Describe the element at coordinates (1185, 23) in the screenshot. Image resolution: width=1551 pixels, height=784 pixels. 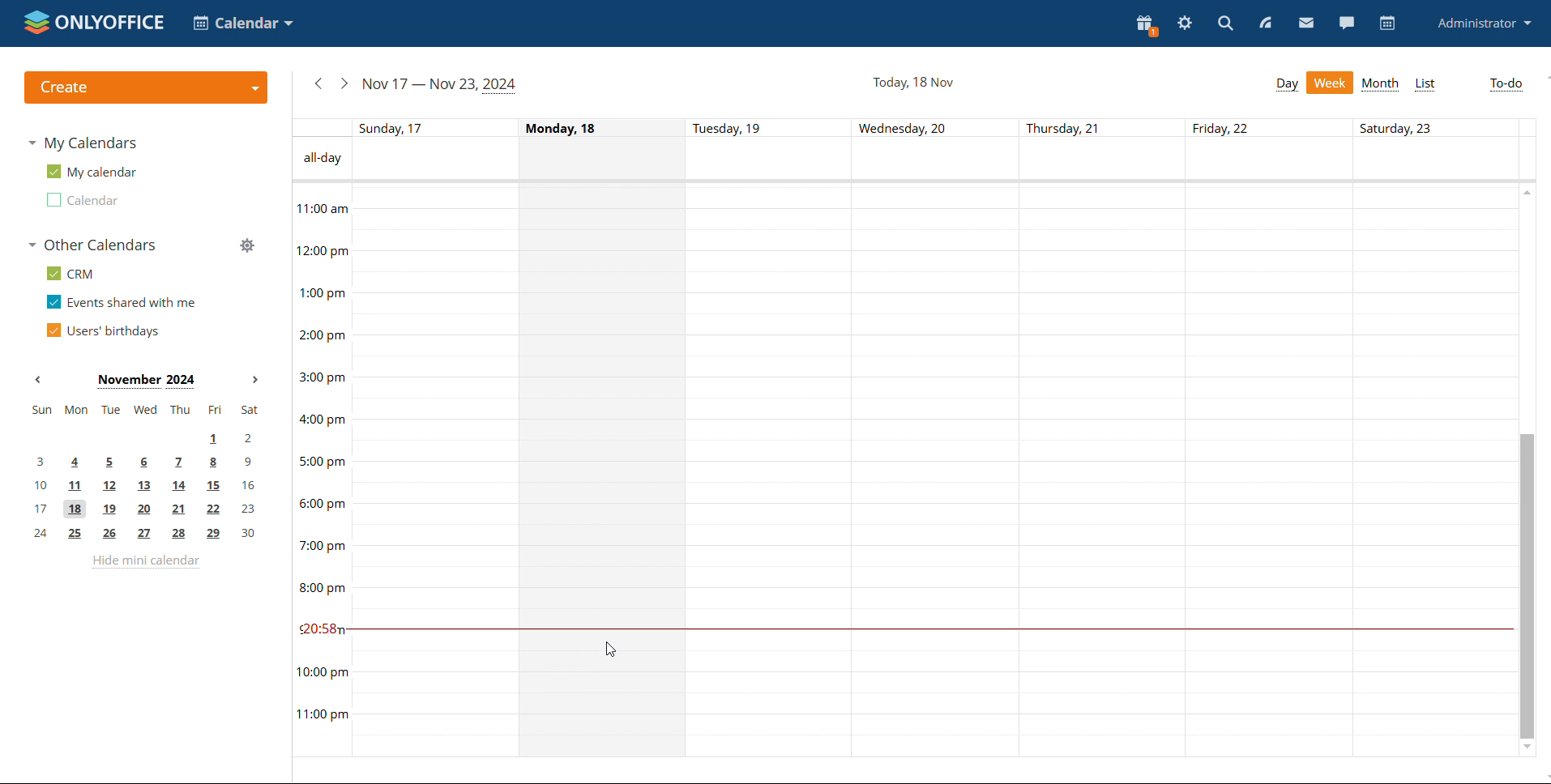
I see `settings` at that location.